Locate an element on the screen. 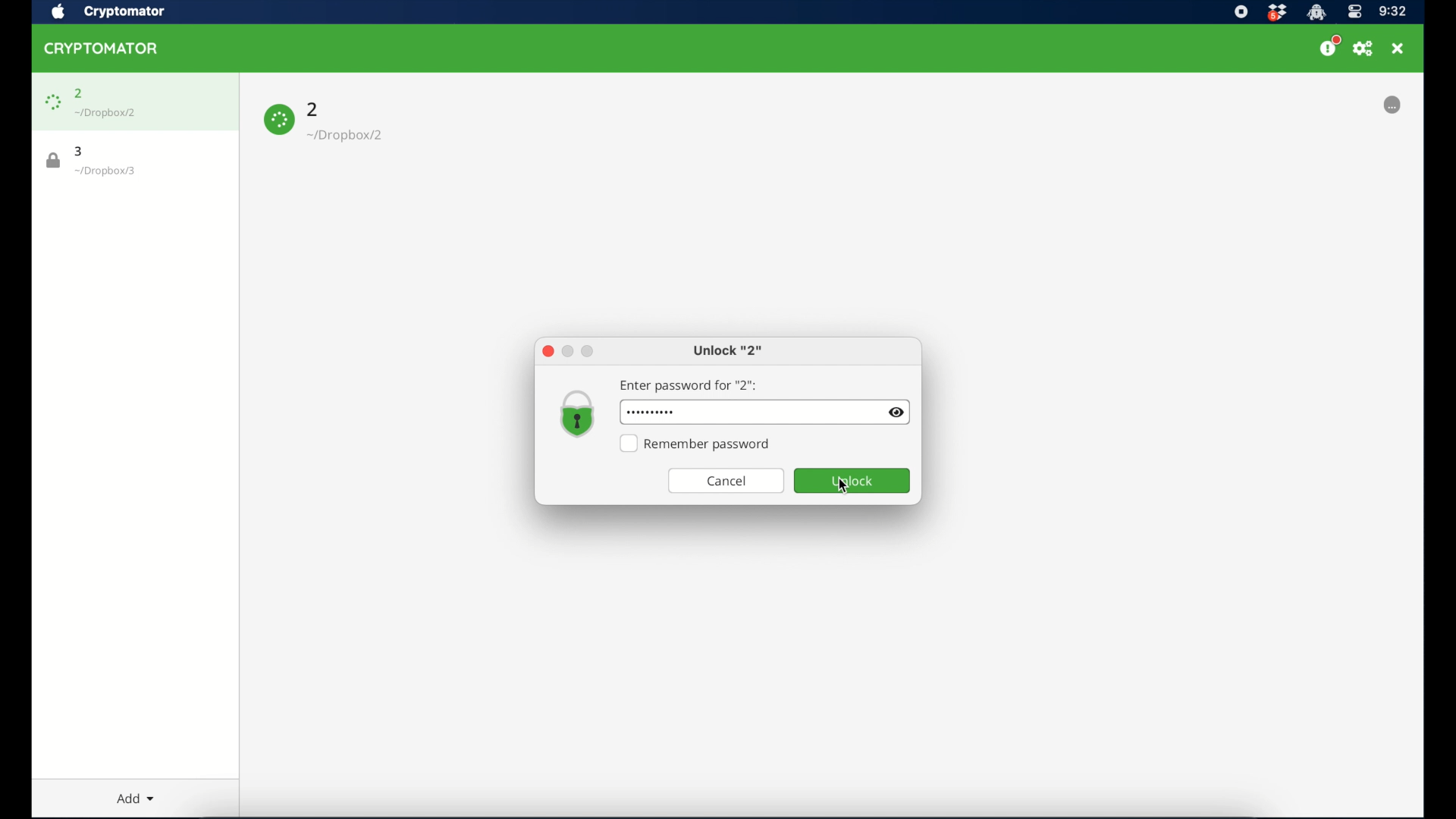 This screenshot has width=1456, height=819. vault icon is located at coordinates (578, 414).